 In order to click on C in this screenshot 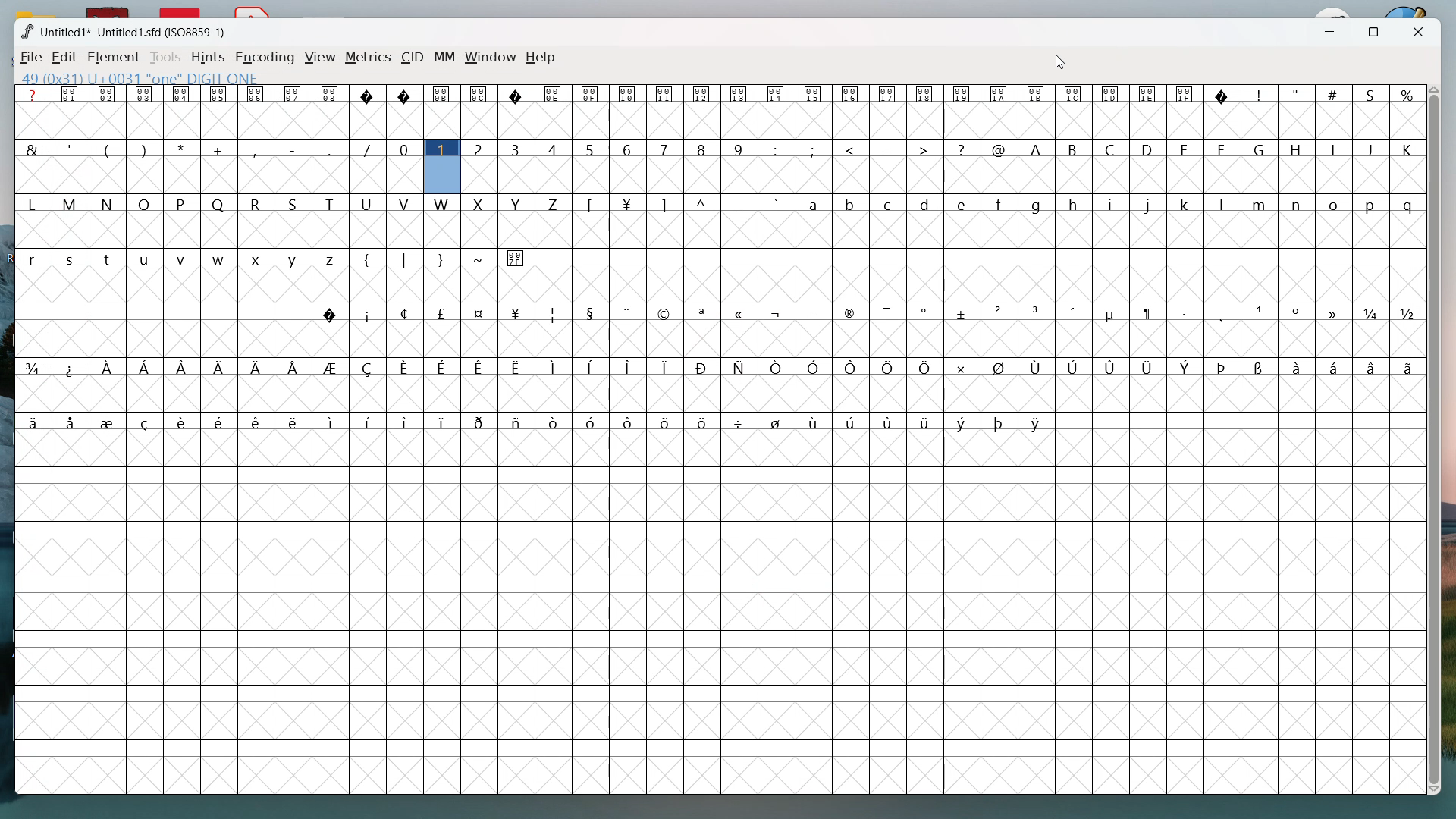, I will do `click(1112, 149)`.